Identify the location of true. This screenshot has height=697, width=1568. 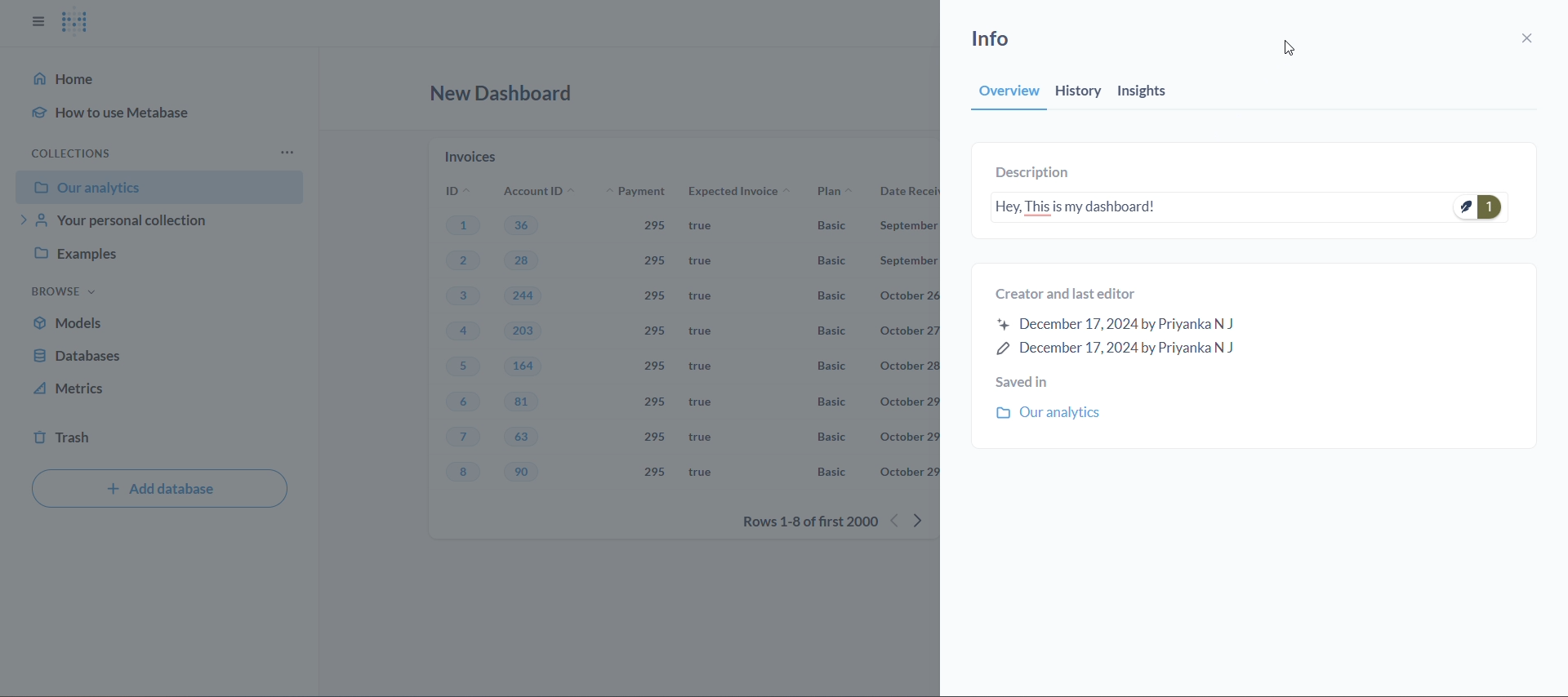
(700, 402).